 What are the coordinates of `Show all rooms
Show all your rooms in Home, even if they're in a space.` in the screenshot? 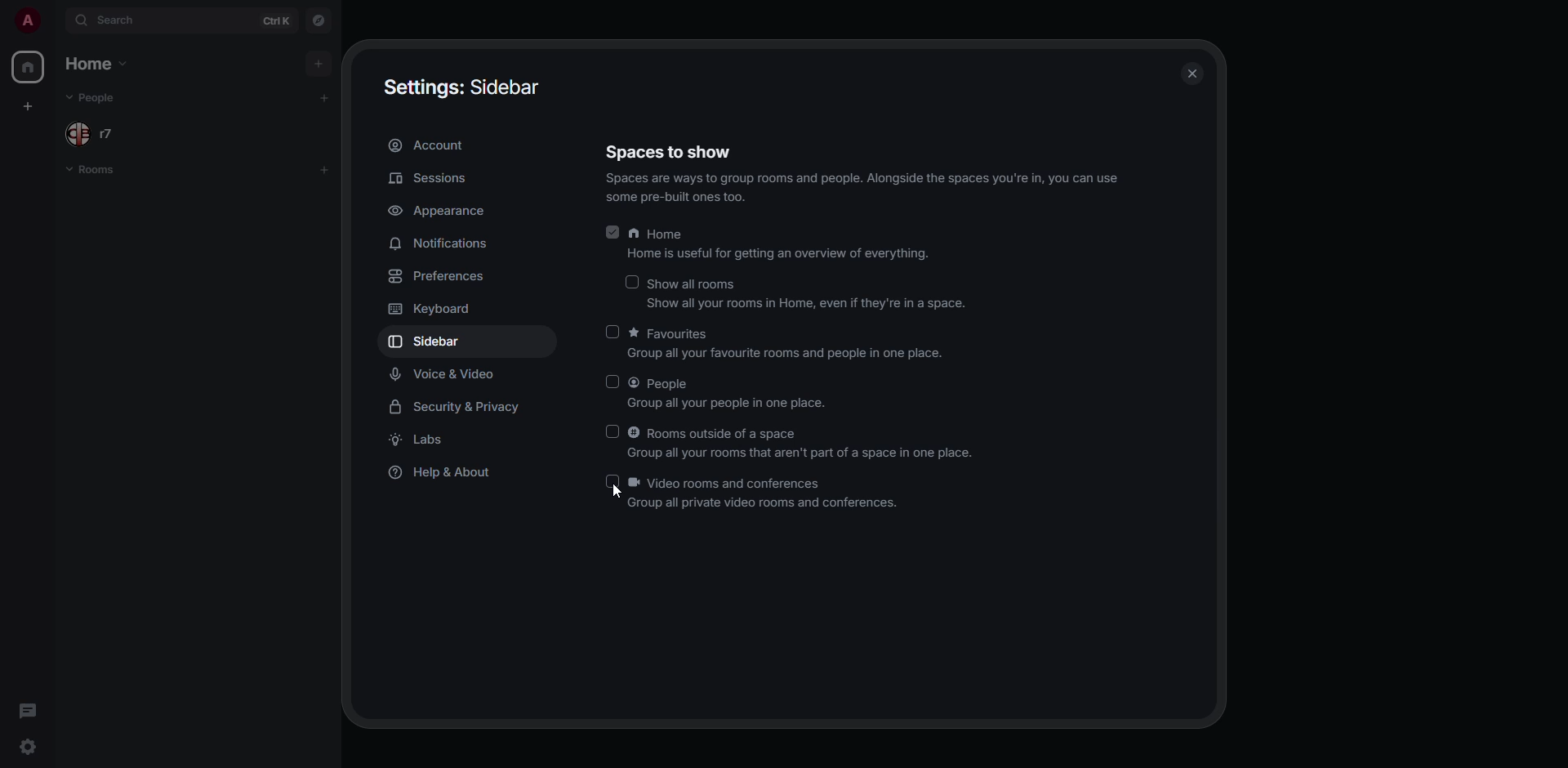 It's located at (807, 294).